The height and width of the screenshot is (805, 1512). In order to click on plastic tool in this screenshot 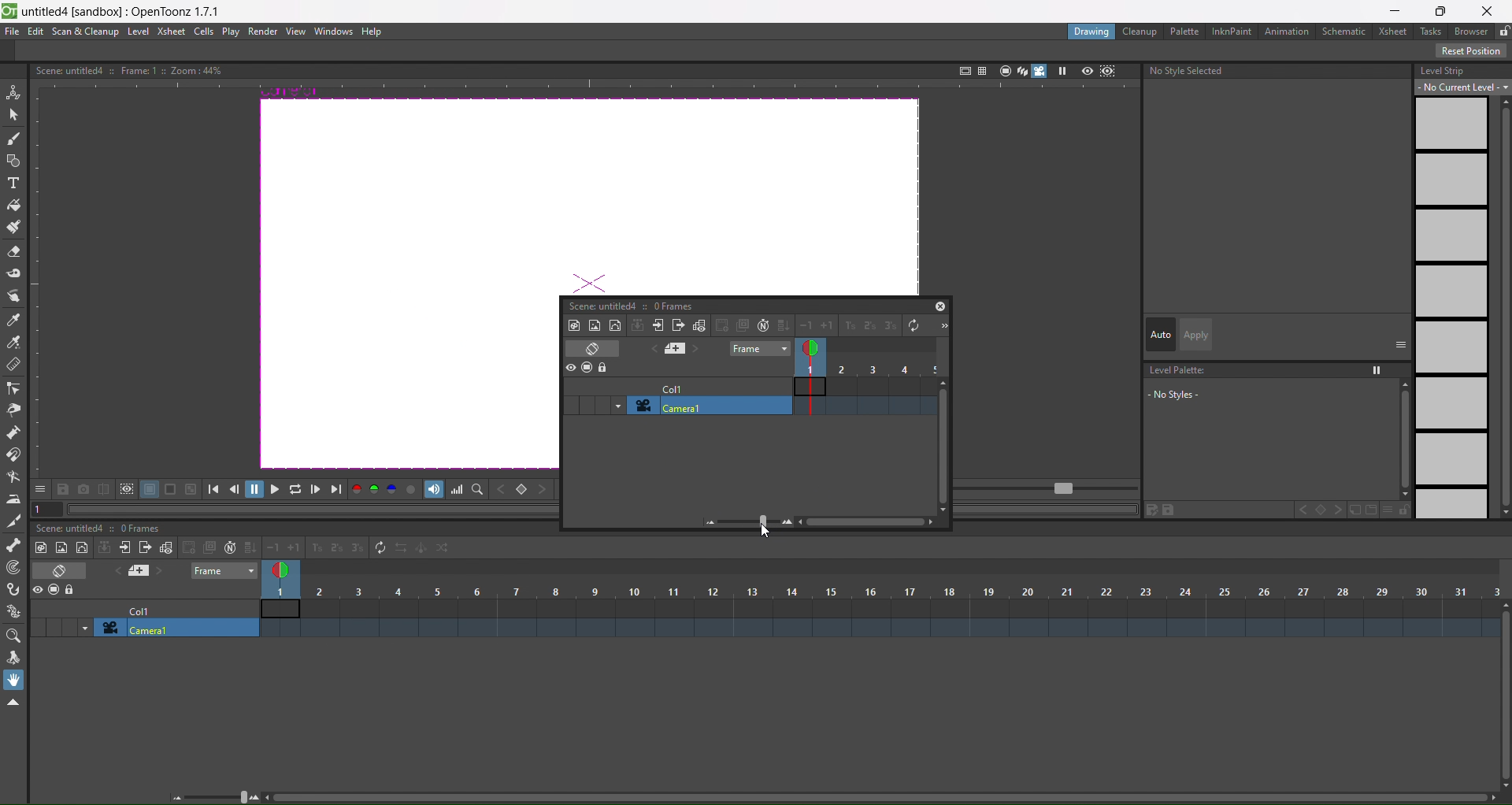, I will do `click(14, 607)`.